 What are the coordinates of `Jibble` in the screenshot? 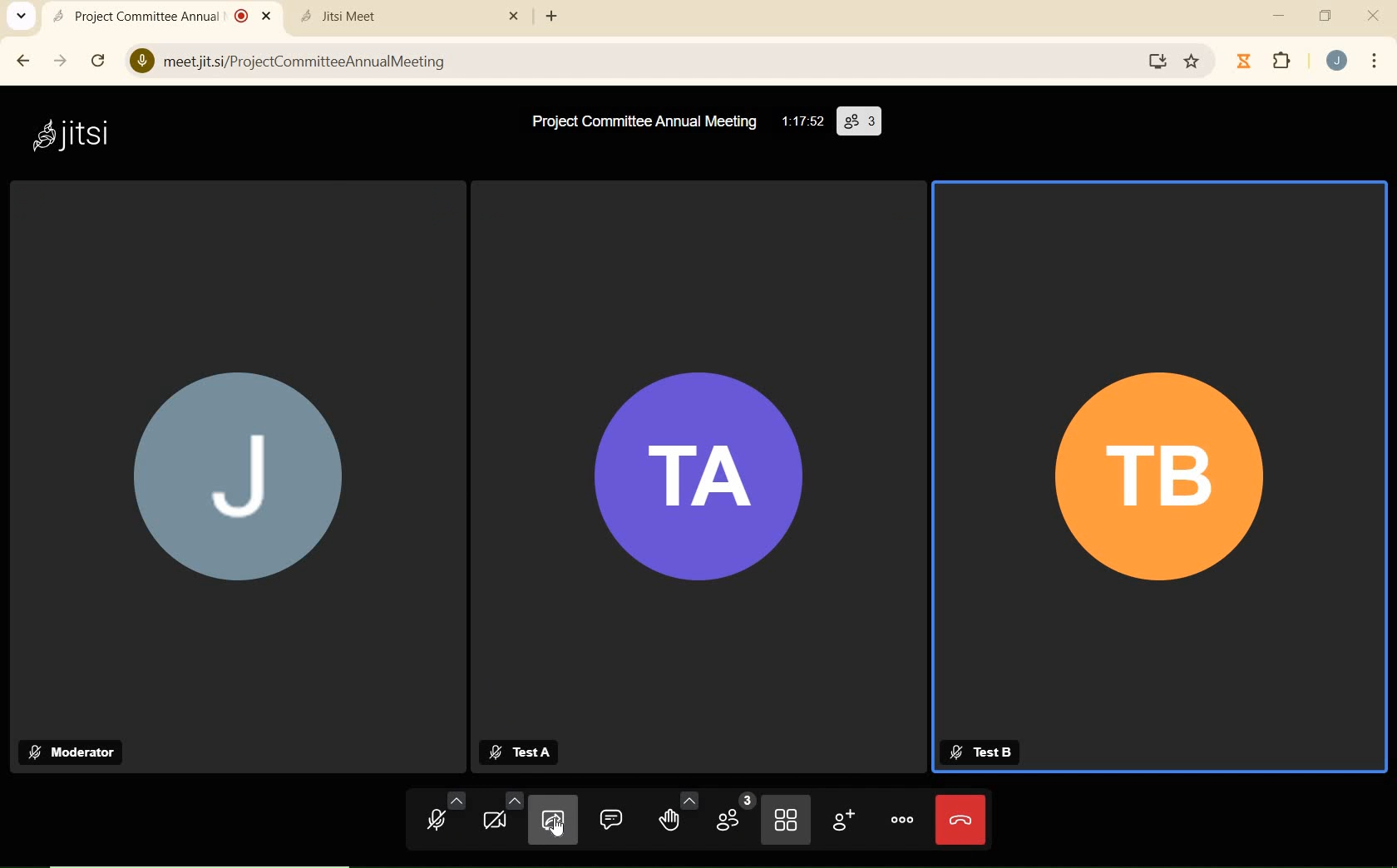 It's located at (1244, 61).